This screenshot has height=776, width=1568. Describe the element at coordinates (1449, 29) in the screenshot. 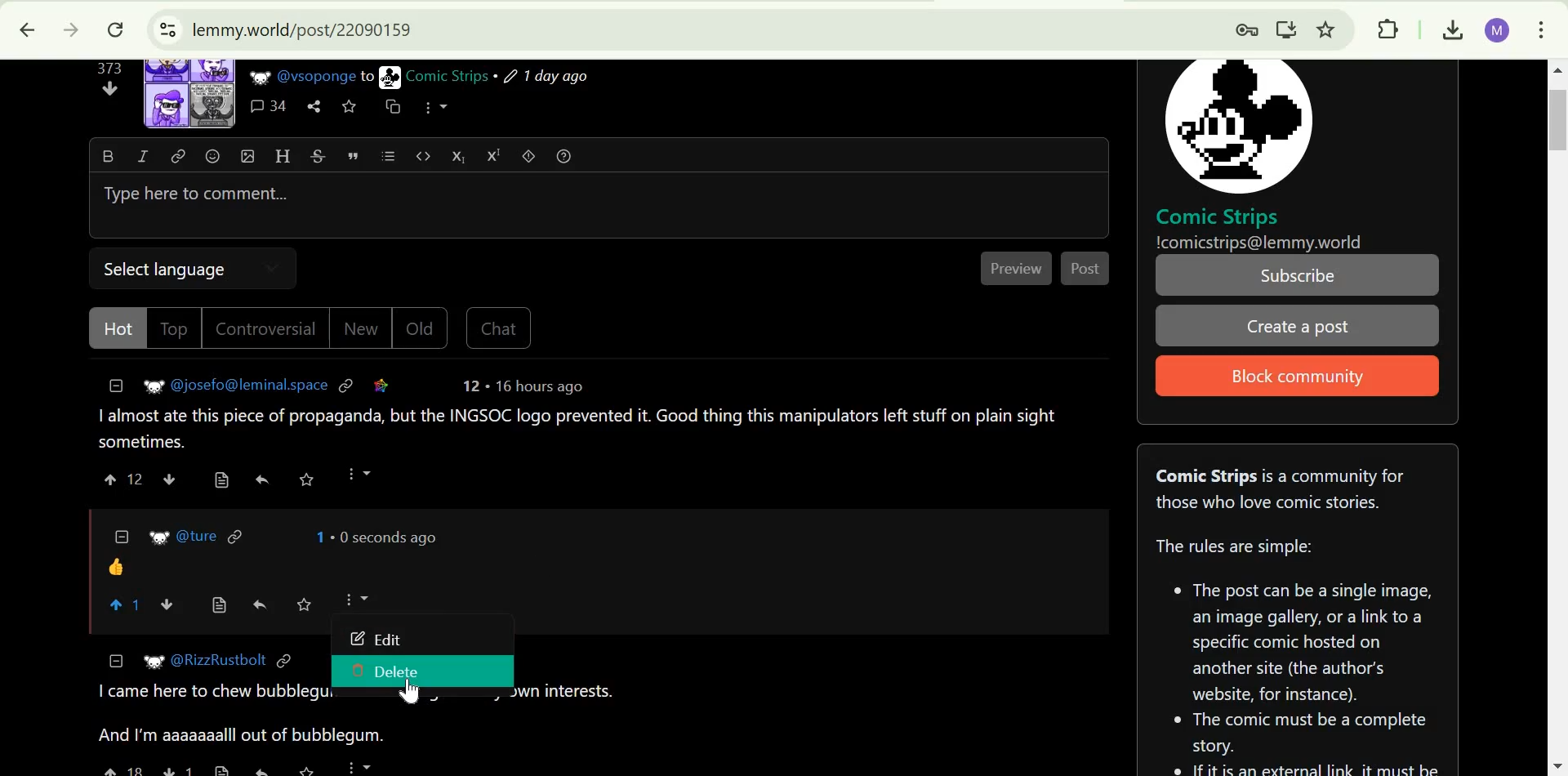

I see `Downloads` at that location.